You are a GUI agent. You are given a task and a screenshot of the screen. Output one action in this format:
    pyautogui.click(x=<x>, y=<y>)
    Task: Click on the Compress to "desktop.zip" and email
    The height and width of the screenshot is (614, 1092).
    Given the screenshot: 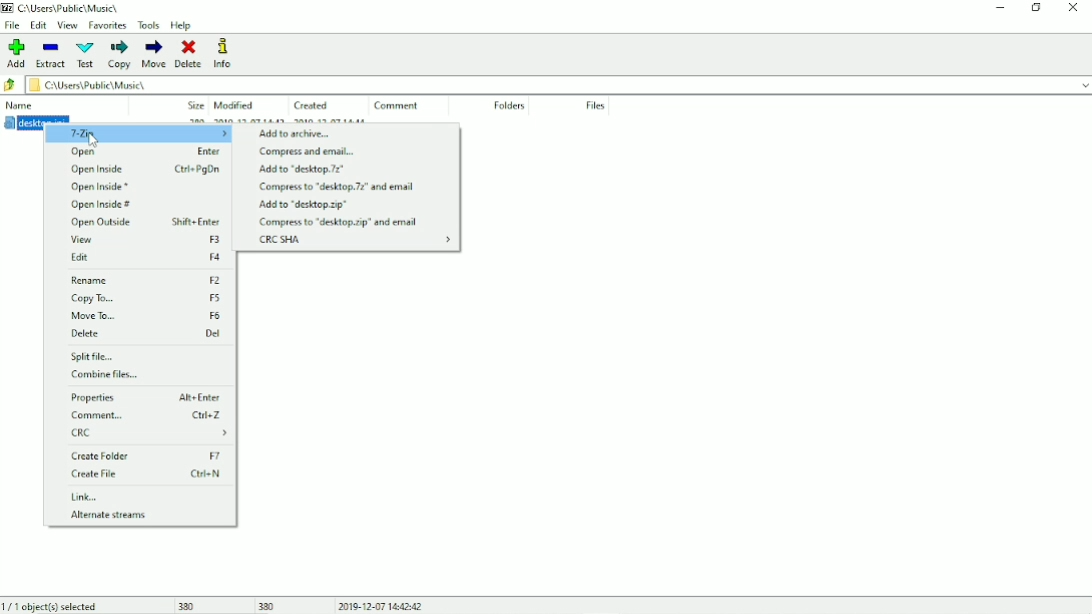 What is the action you would take?
    pyautogui.click(x=340, y=222)
    